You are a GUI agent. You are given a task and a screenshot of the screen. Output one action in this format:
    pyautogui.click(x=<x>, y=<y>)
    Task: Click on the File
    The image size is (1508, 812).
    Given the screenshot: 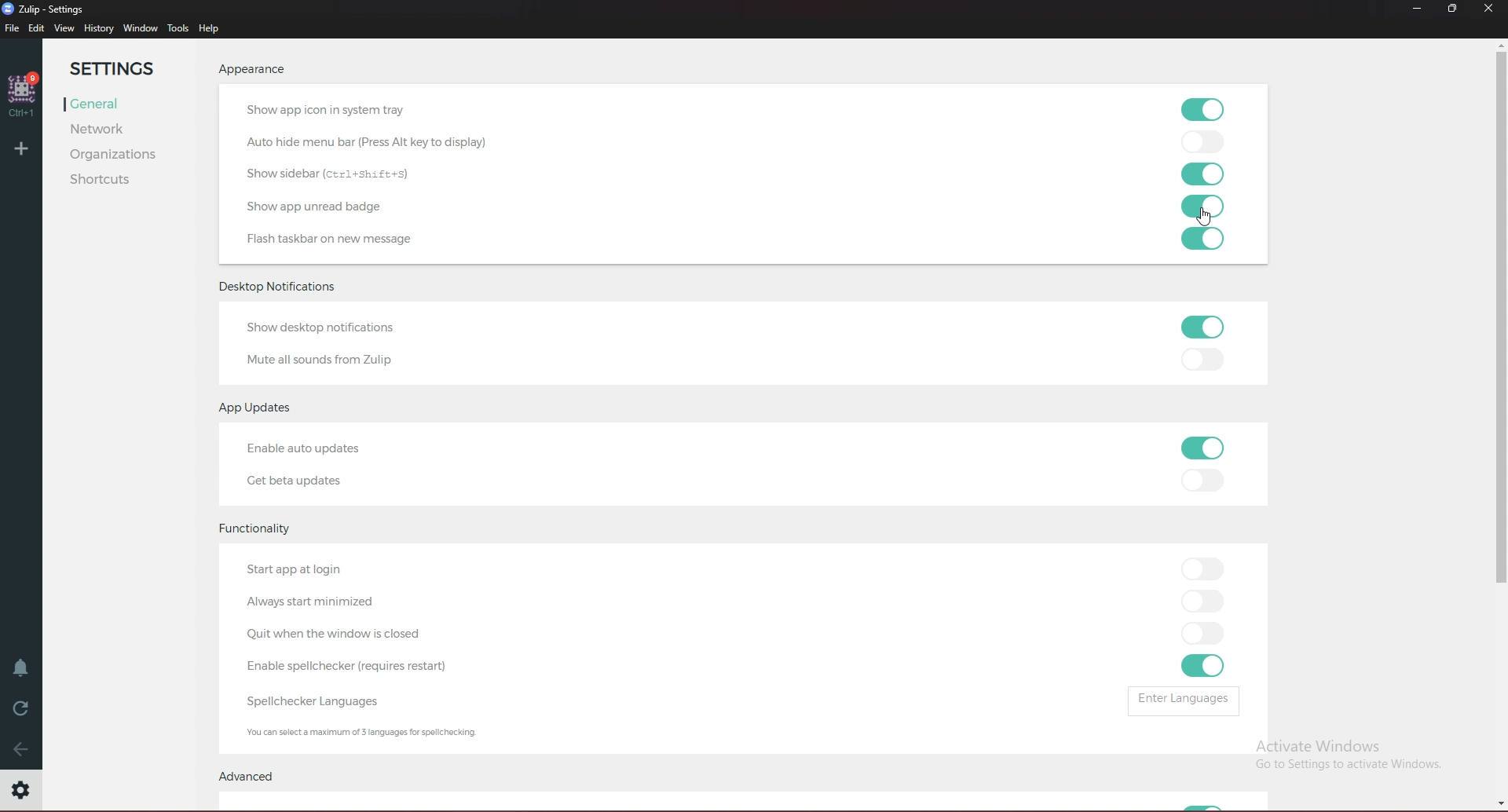 What is the action you would take?
    pyautogui.click(x=13, y=29)
    